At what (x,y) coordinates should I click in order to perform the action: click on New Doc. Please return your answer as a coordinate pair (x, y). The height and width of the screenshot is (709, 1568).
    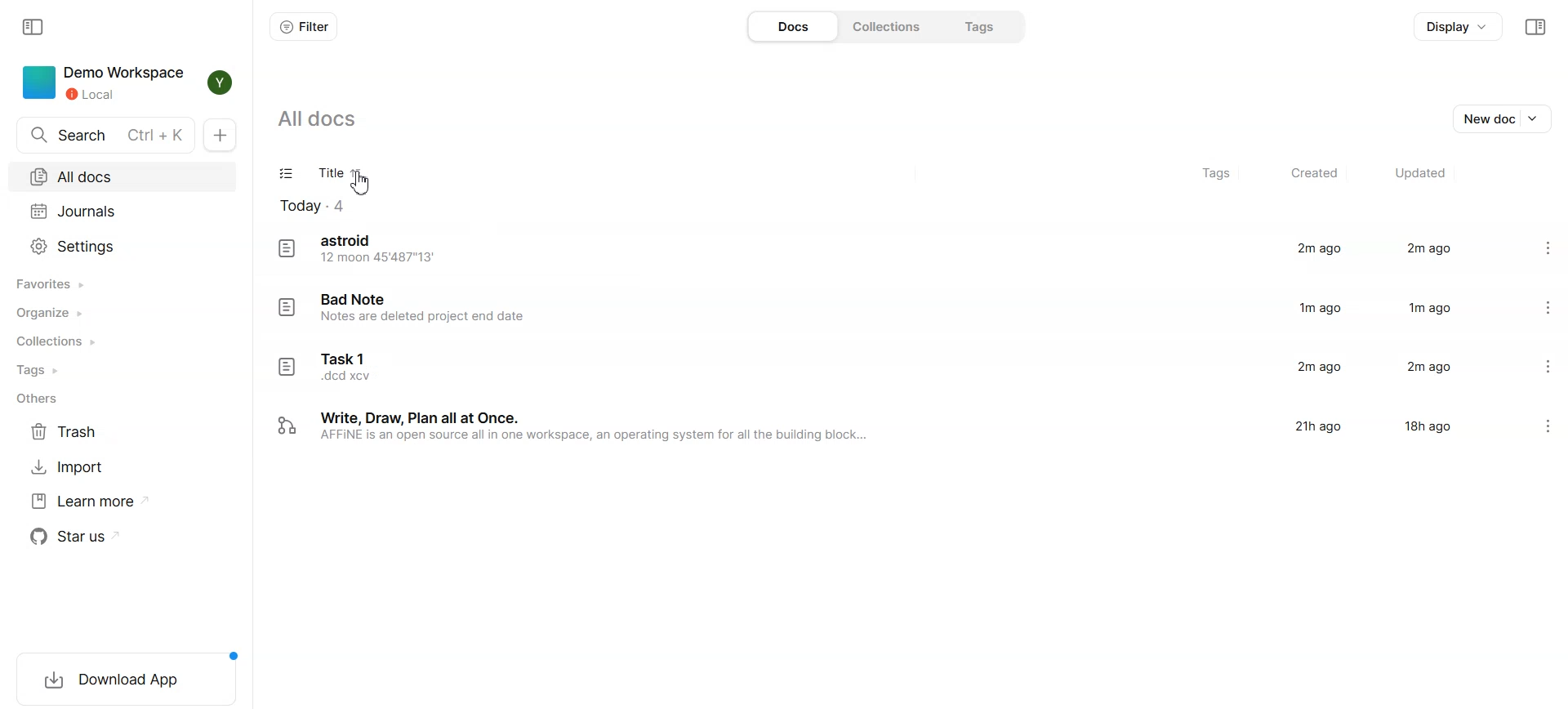
    Looking at the image, I should click on (220, 135).